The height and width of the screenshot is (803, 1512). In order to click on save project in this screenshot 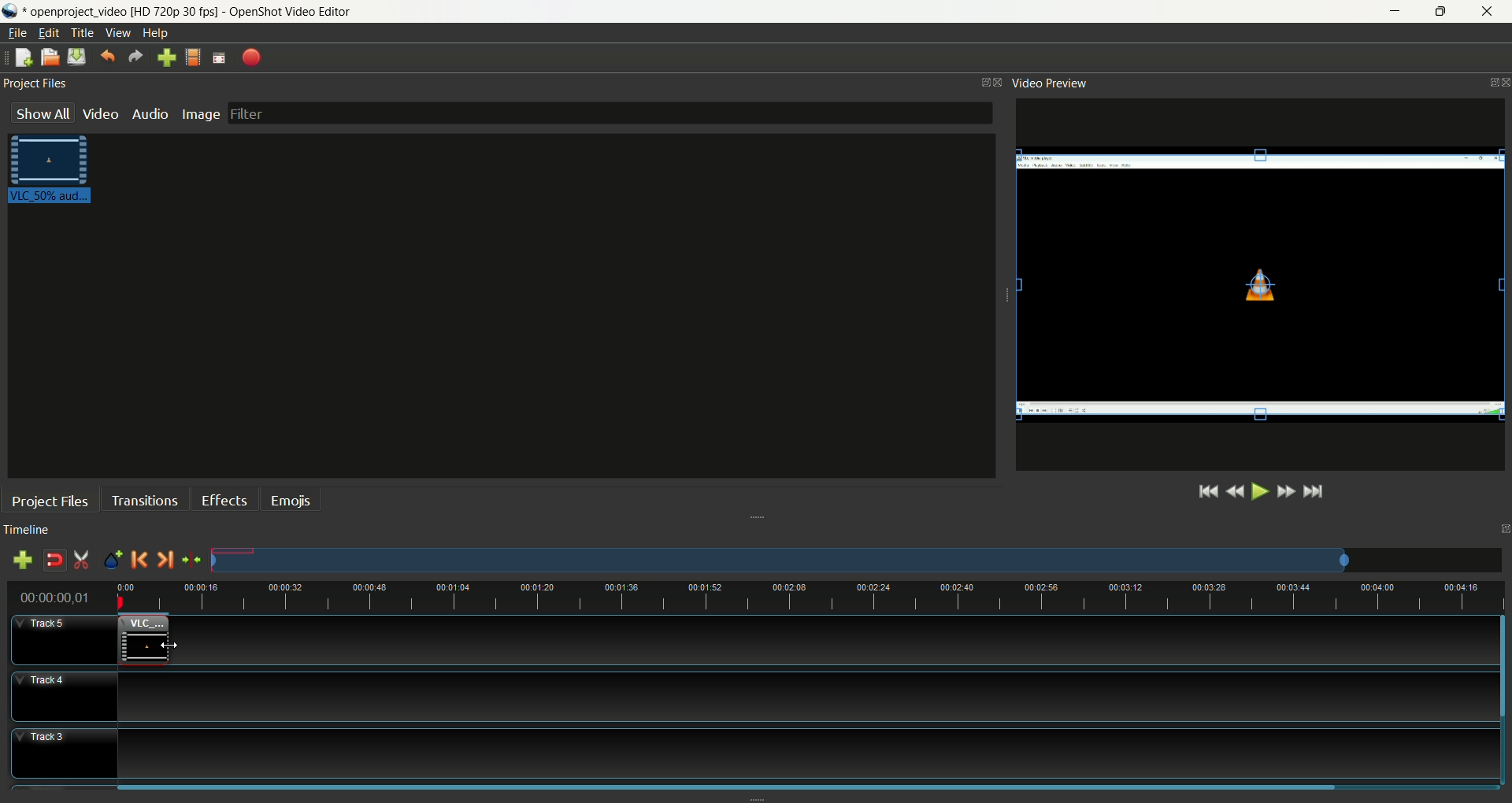, I will do `click(77, 57)`.